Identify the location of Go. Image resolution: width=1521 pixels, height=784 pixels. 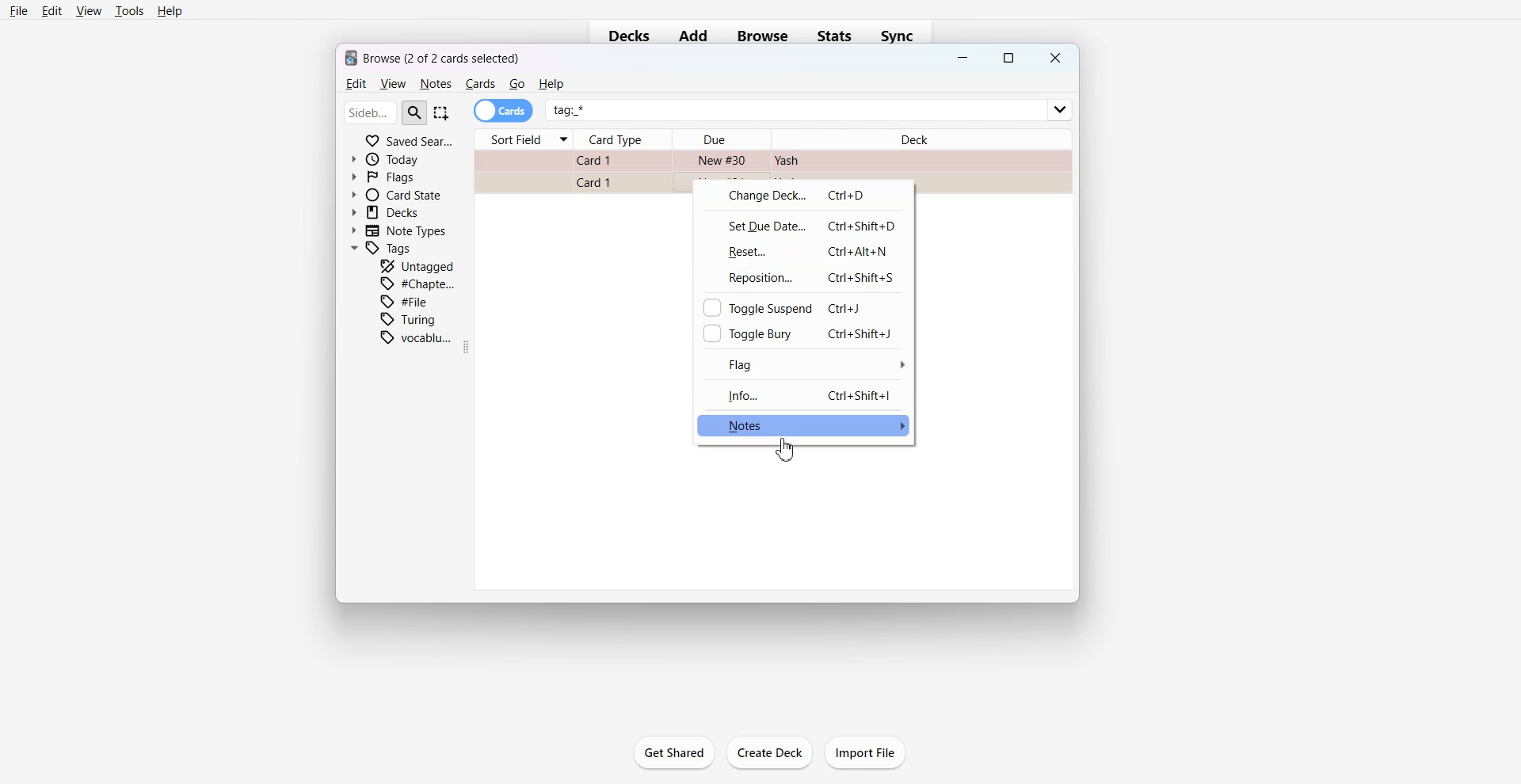
(517, 84).